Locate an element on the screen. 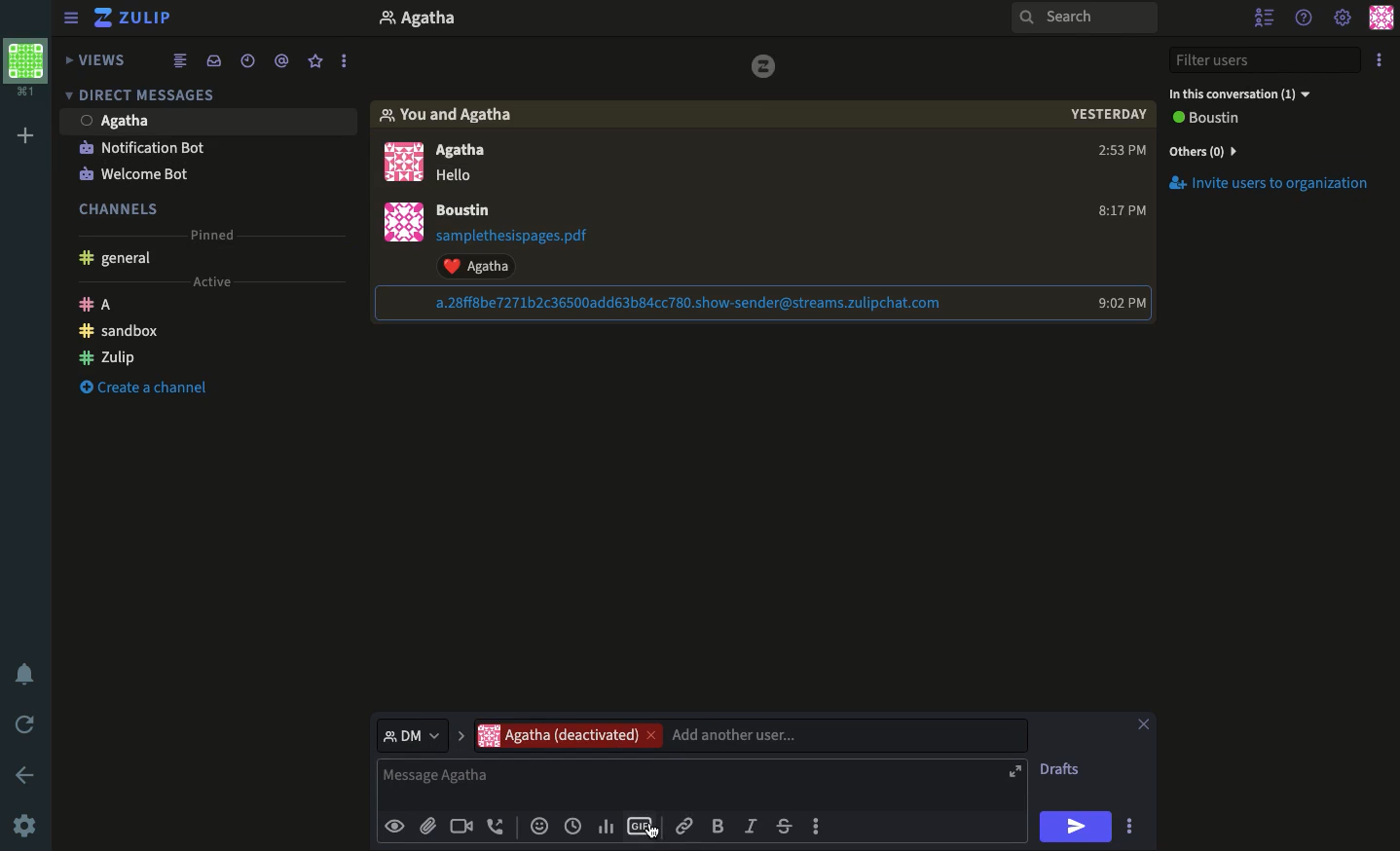 Image resolution: width=1400 pixels, height=851 pixels. Welcome bot is located at coordinates (143, 172).